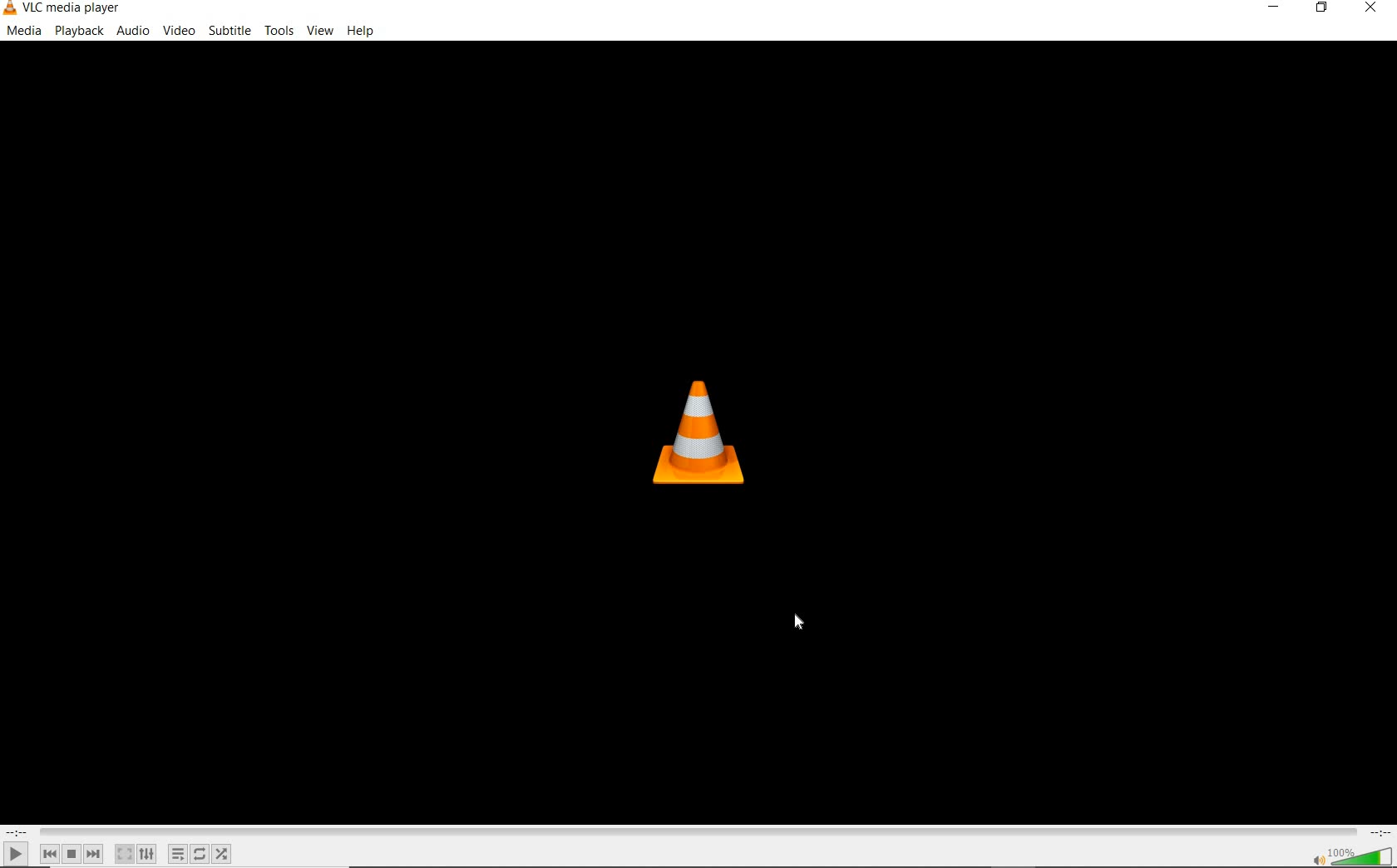 This screenshot has height=868, width=1397. Describe the element at coordinates (1369, 11) in the screenshot. I see `close` at that location.